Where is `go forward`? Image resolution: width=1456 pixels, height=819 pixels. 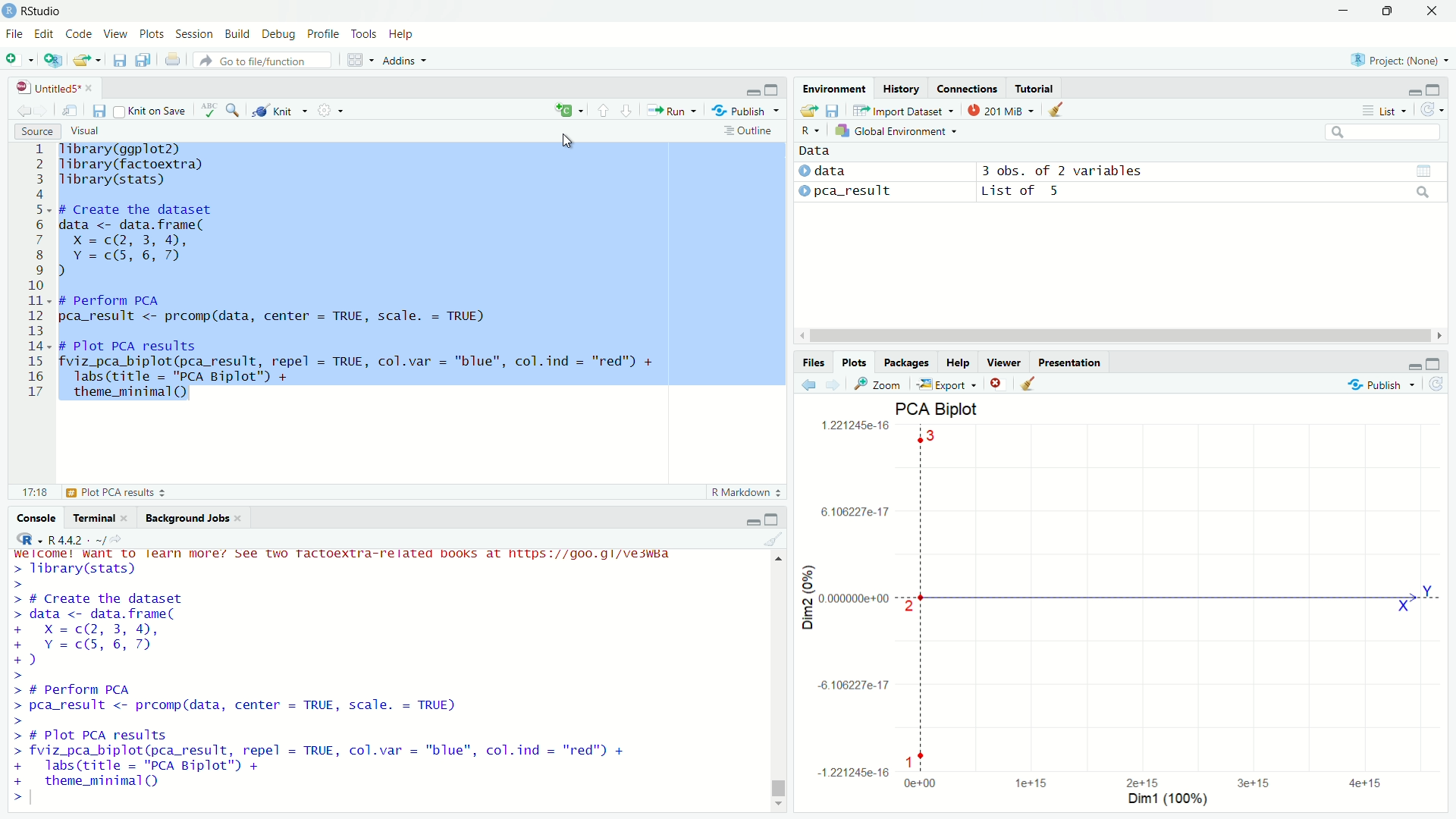
go forward is located at coordinates (628, 109).